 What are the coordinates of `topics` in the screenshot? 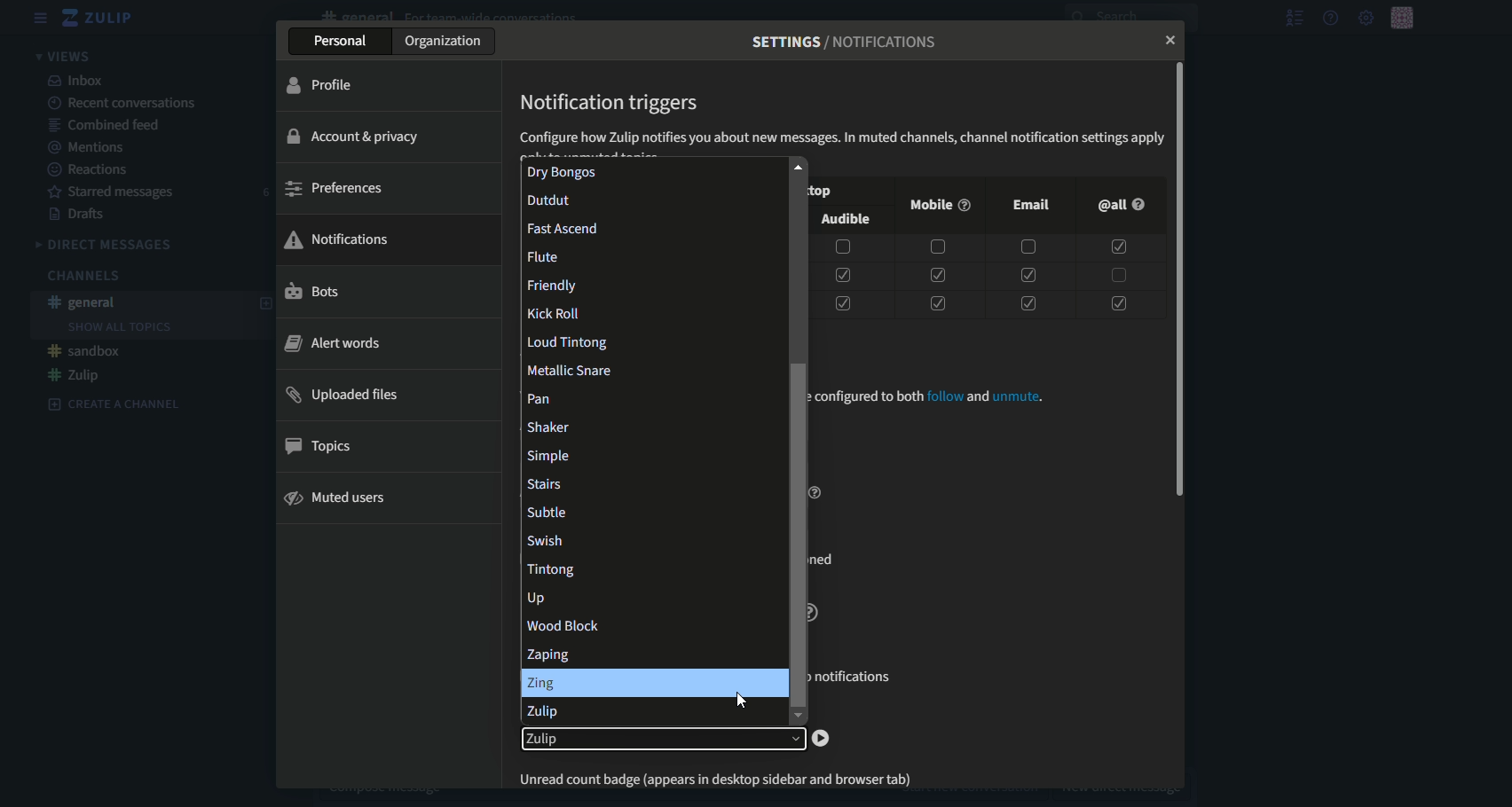 It's located at (325, 447).